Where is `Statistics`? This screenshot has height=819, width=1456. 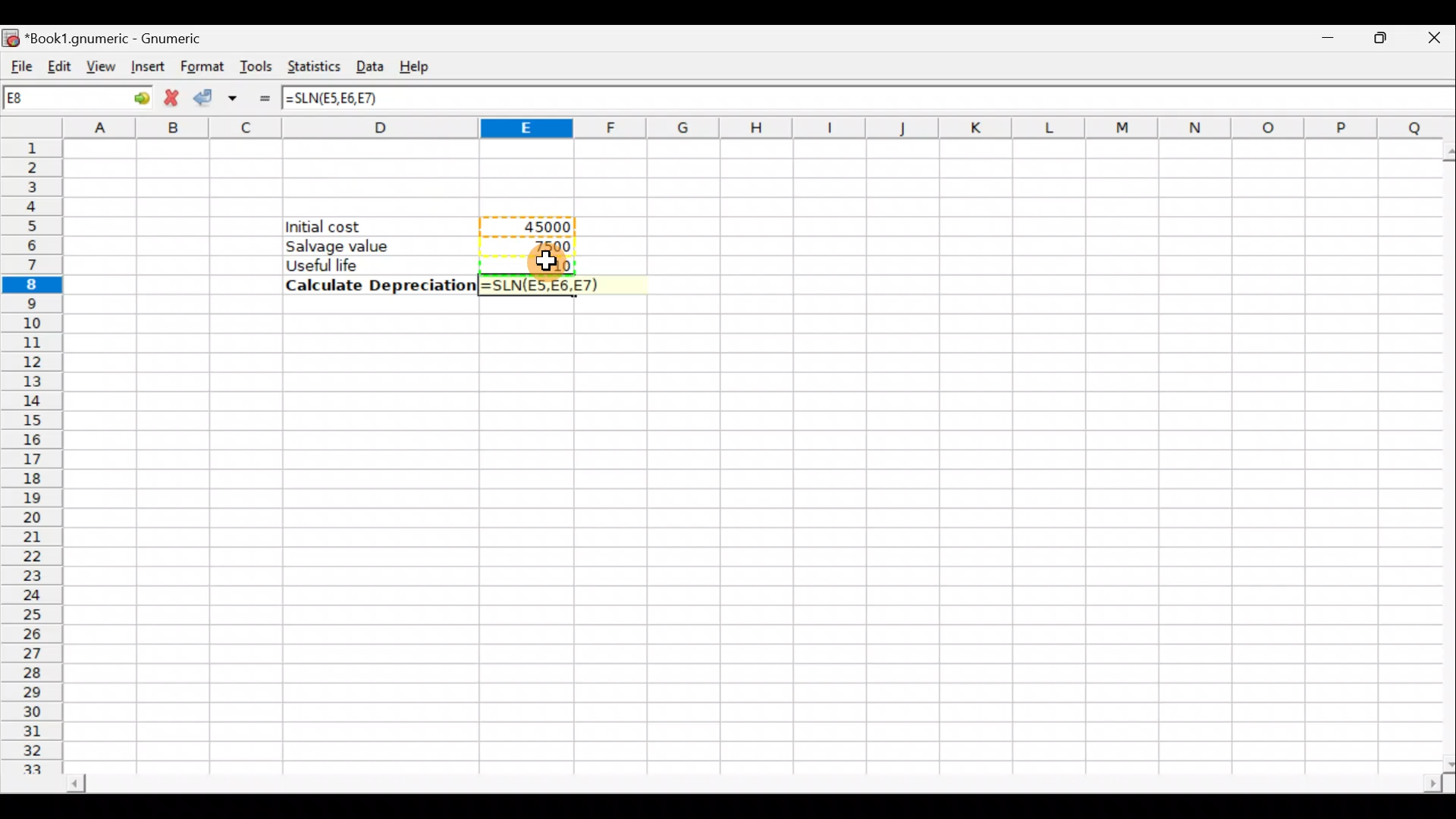 Statistics is located at coordinates (314, 63).